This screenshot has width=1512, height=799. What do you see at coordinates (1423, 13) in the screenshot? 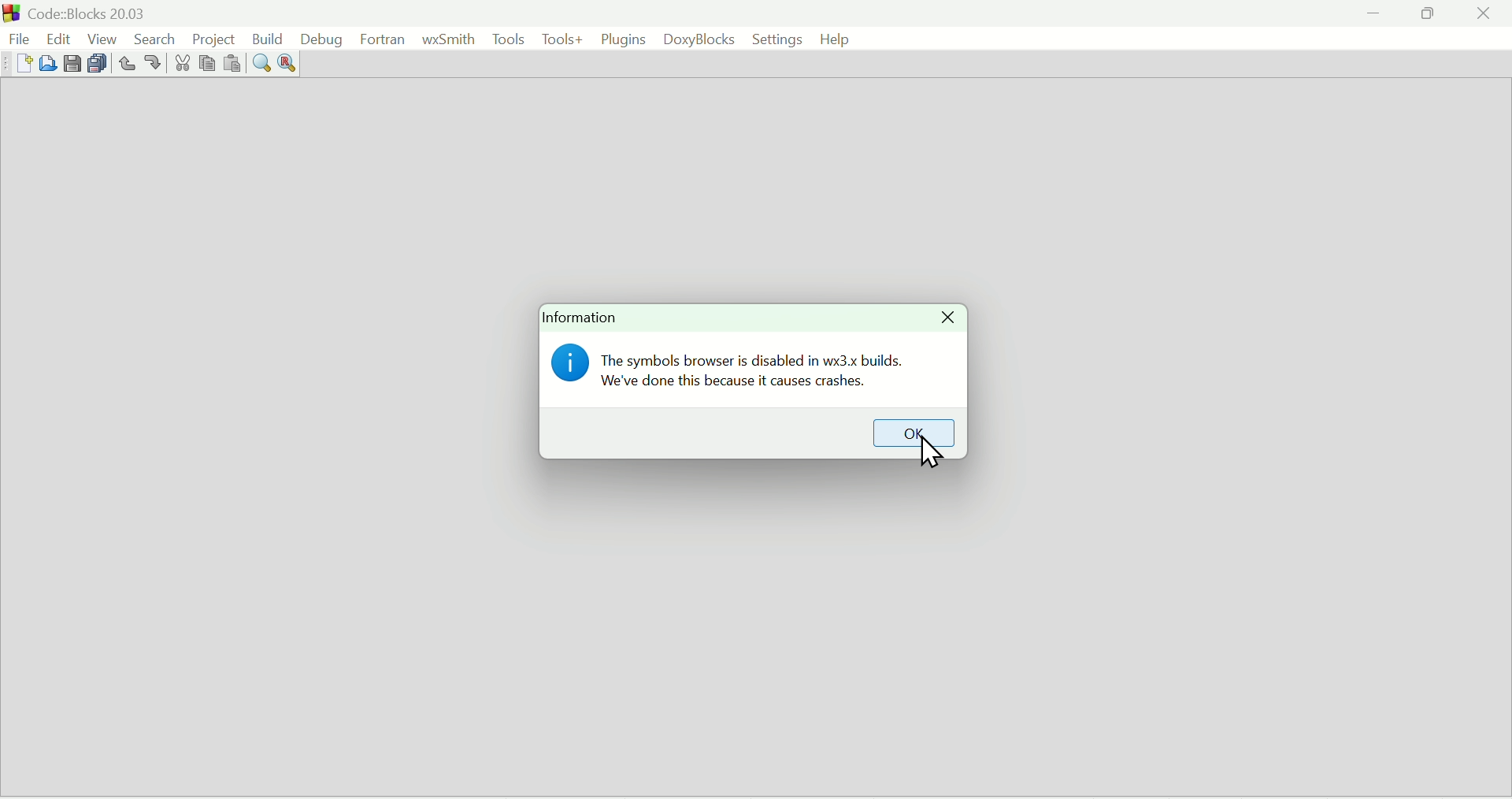
I see `Restore` at bounding box center [1423, 13].